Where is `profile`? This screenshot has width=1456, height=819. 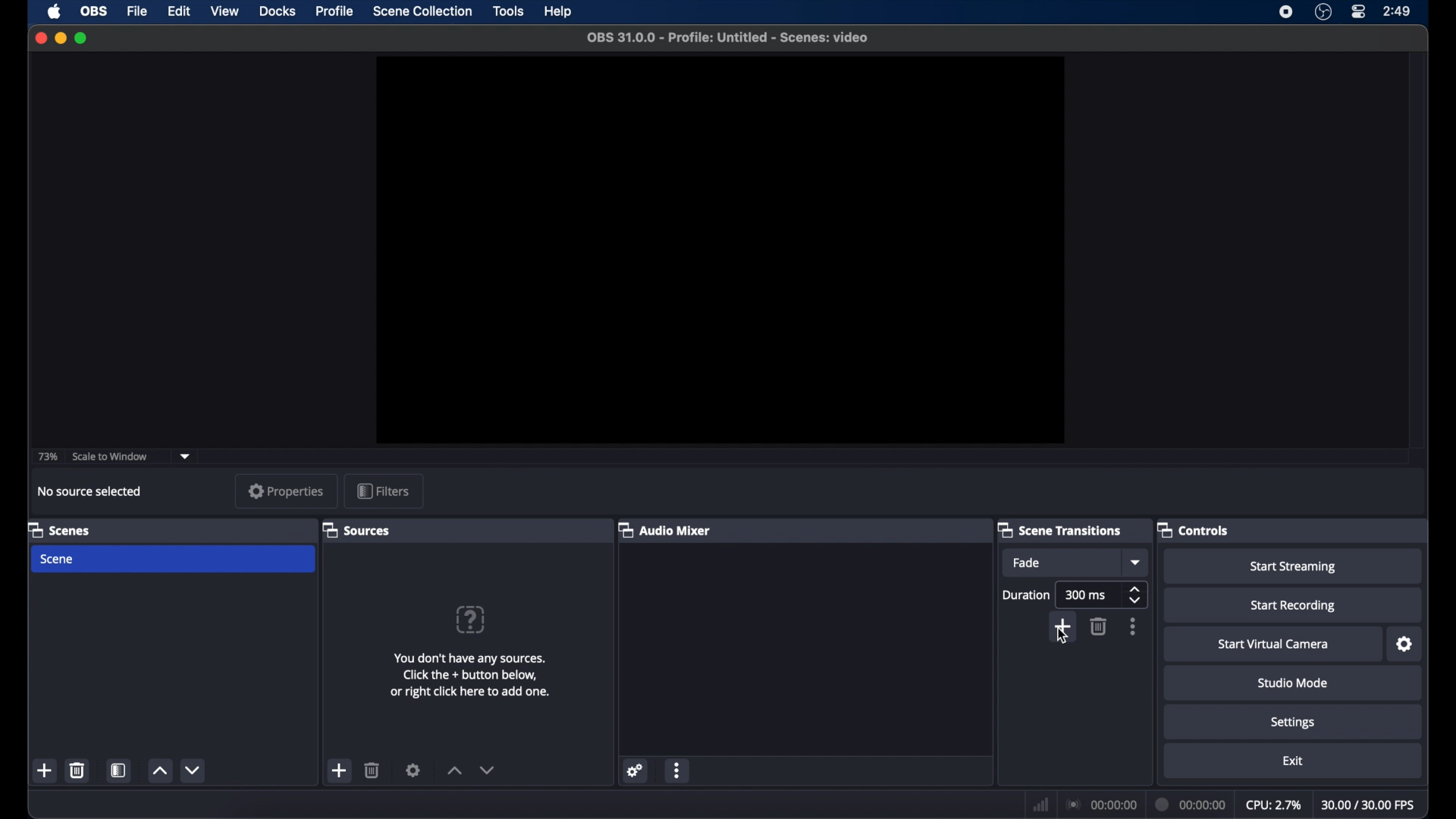
profile is located at coordinates (335, 11).